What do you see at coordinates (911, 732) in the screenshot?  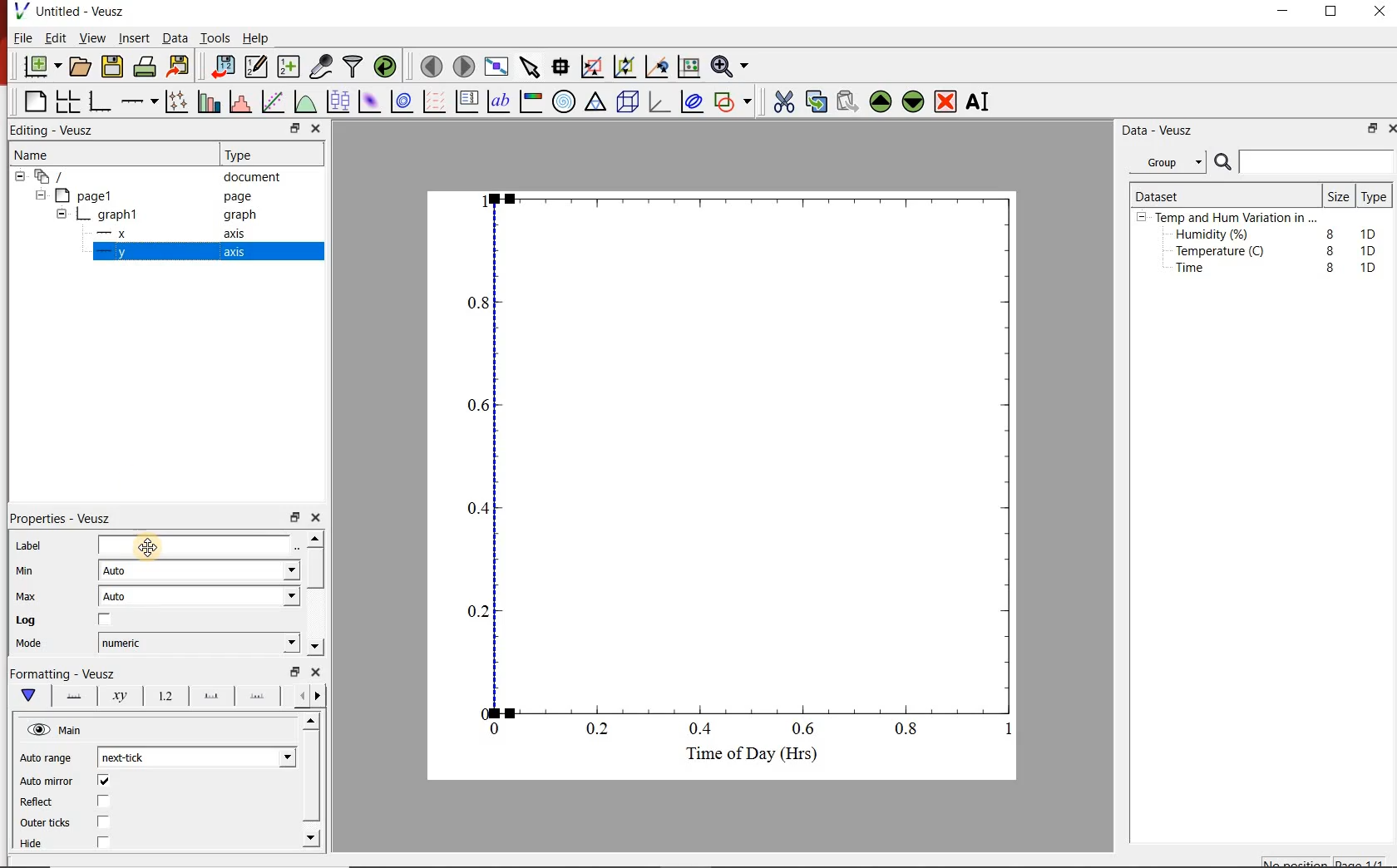 I see `0.8` at bounding box center [911, 732].